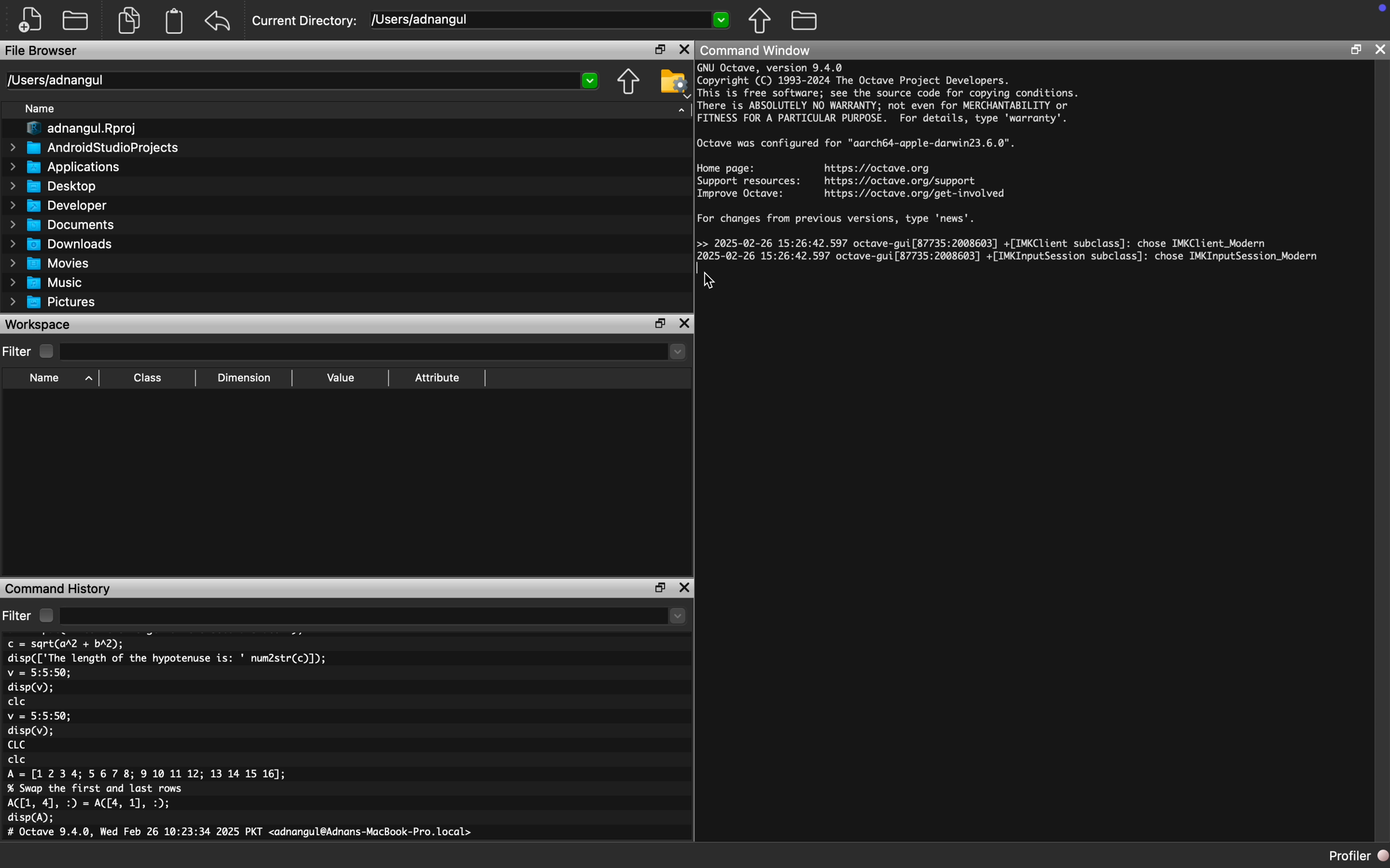  I want to click on Folder, so click(76, 20).